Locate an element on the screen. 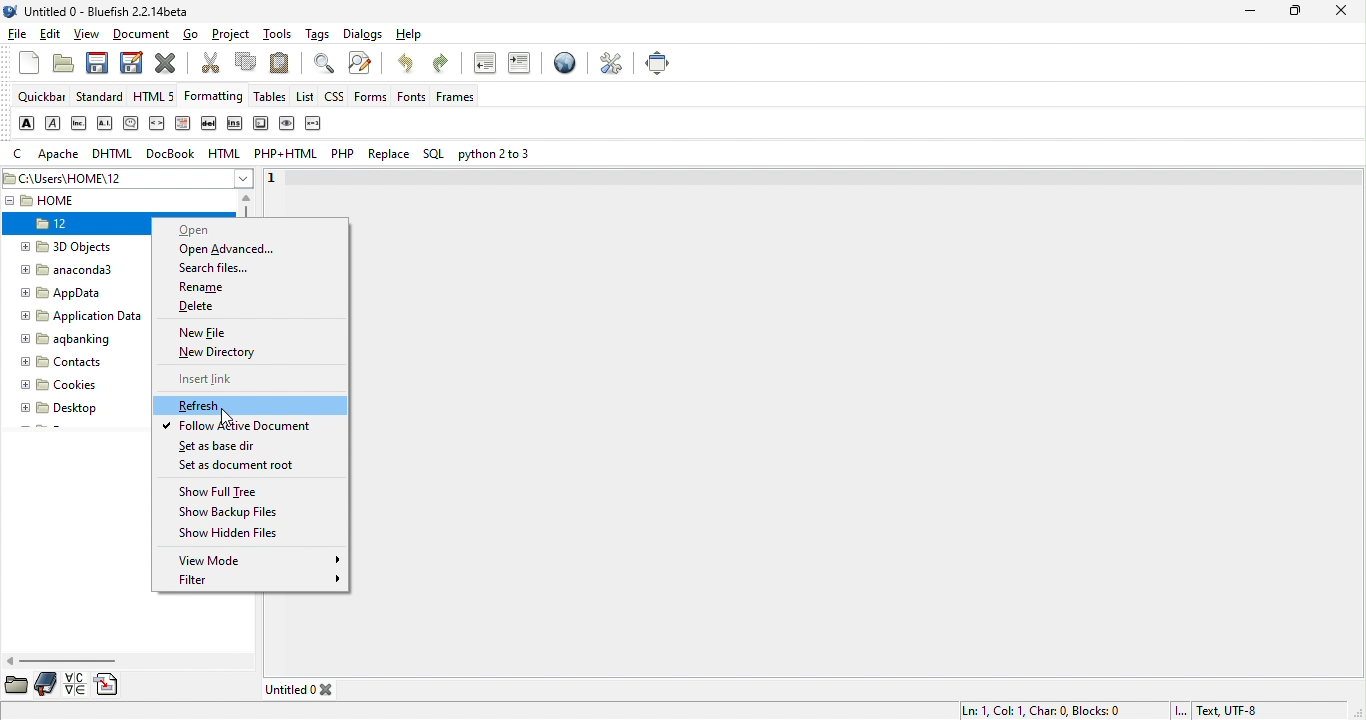 The height and width of the screenshot is (720, 1366). show full tree is located at coordinates (226, 492).